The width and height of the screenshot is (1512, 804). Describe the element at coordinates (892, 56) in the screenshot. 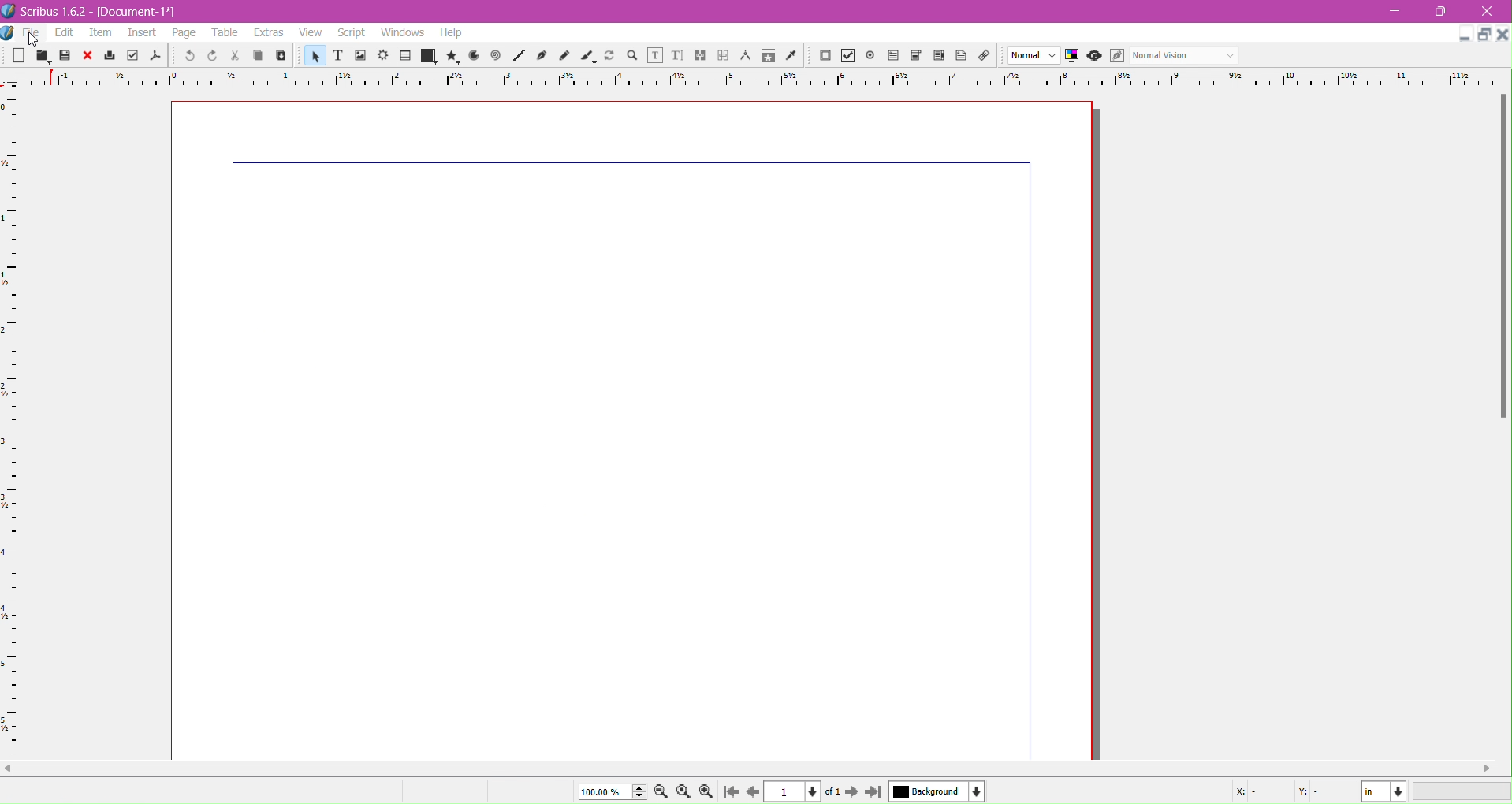

I see `pdf checkbox` at that location.